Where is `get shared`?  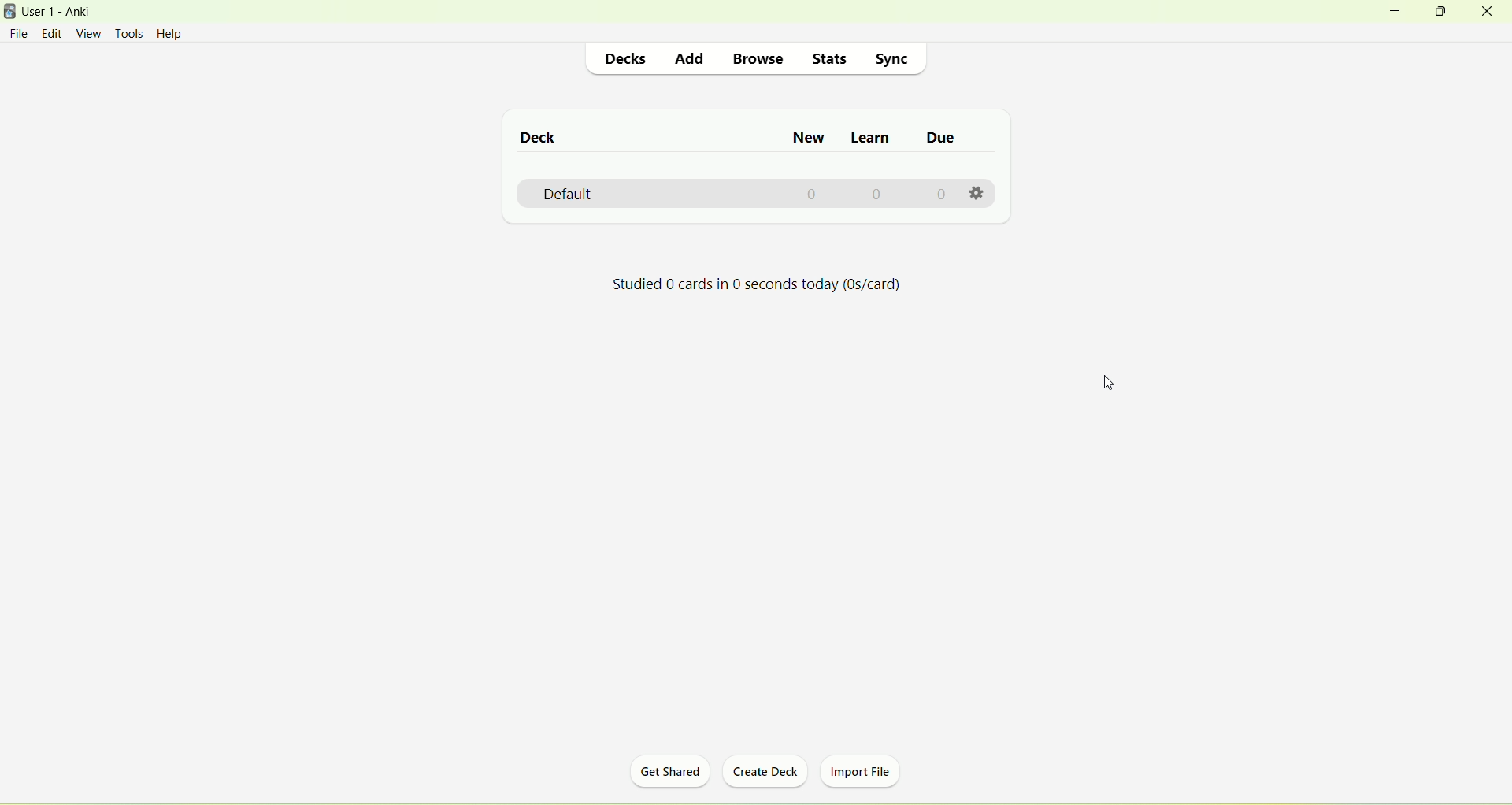
get shared is located at coordinates (663, 772).